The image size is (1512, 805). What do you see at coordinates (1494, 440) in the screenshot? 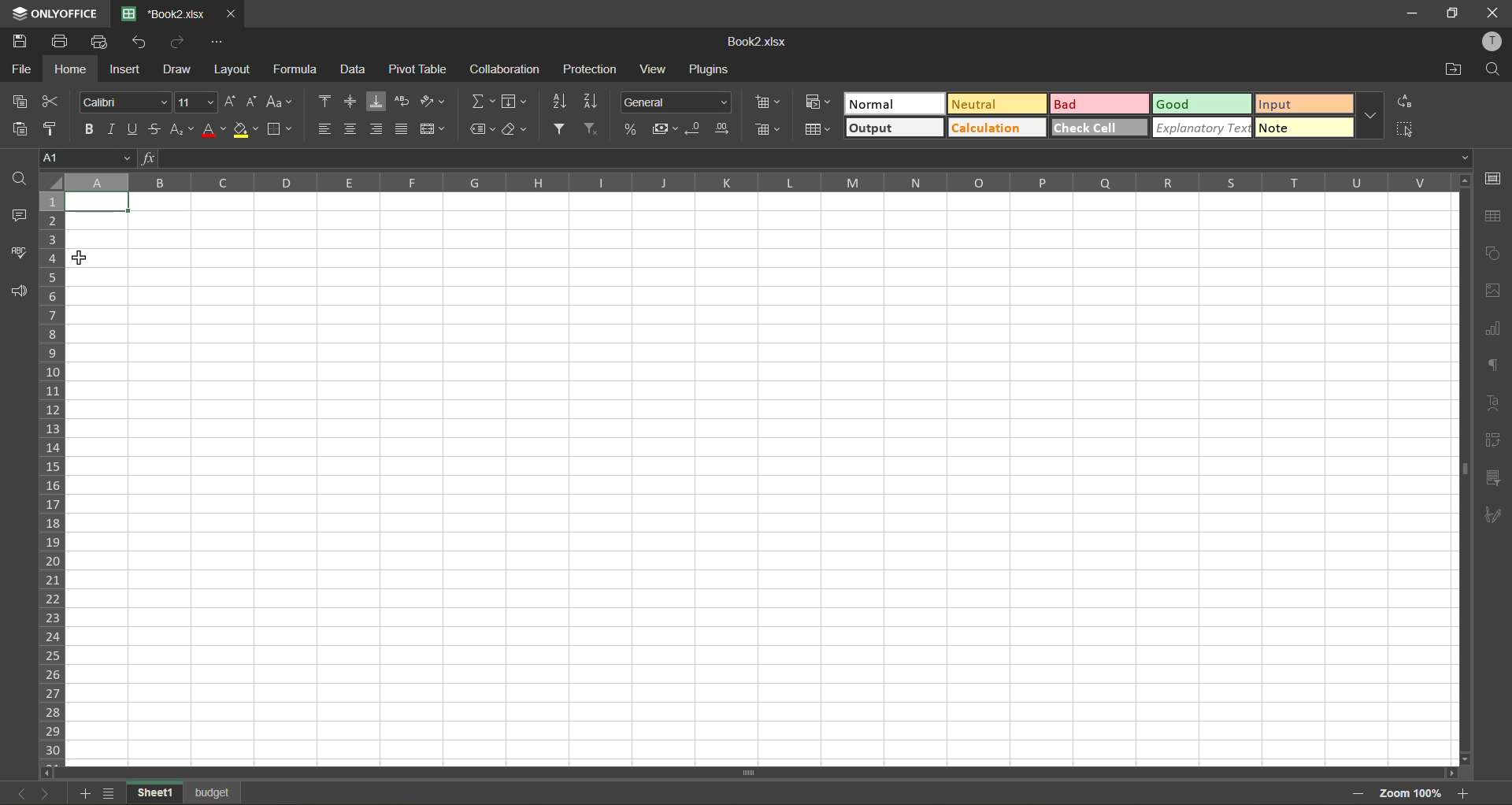
I see `pivot table` at bounding box center [1494, 440].